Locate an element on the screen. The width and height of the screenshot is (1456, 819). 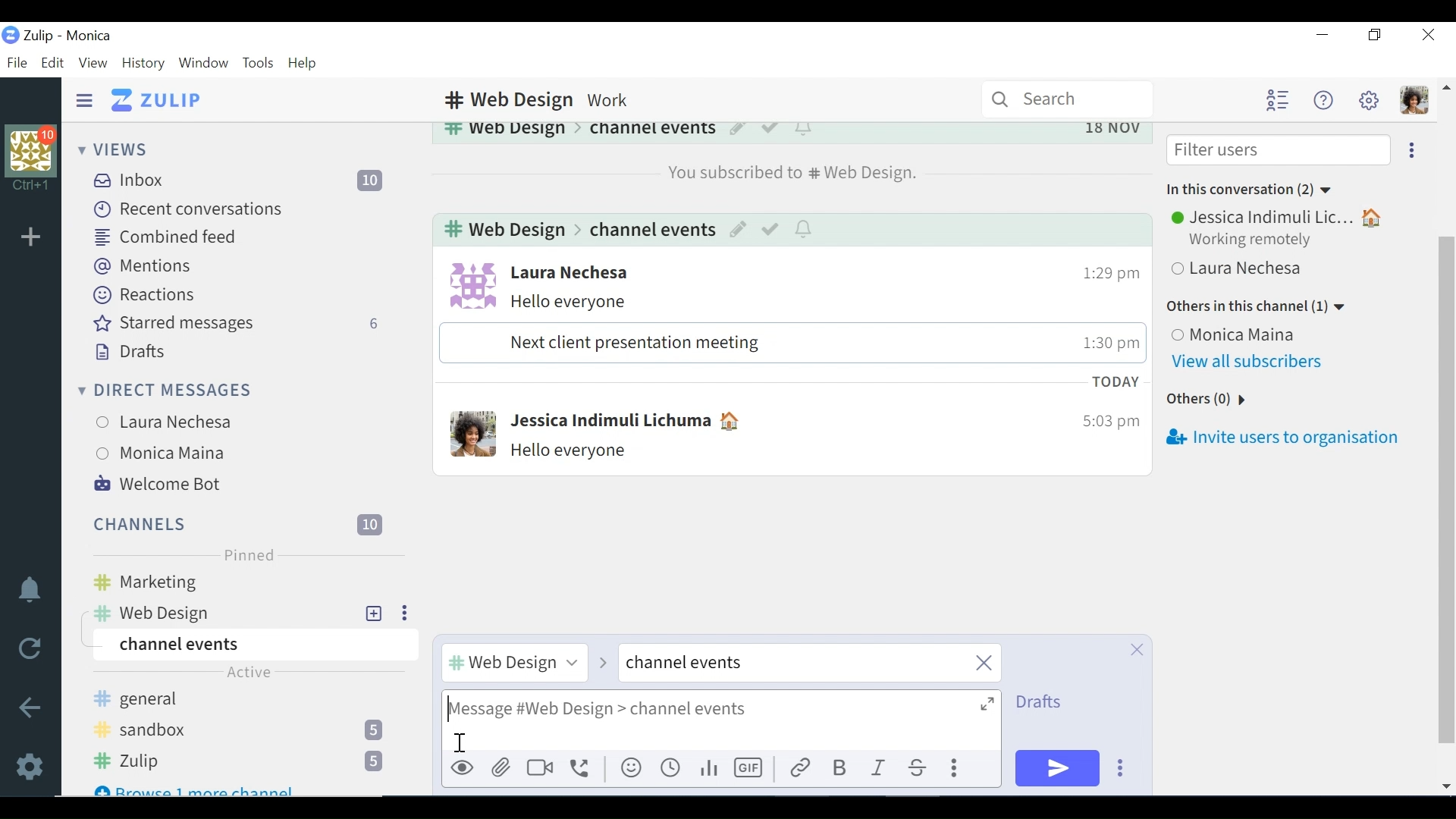
Close is located at coordinates (1135, 649).